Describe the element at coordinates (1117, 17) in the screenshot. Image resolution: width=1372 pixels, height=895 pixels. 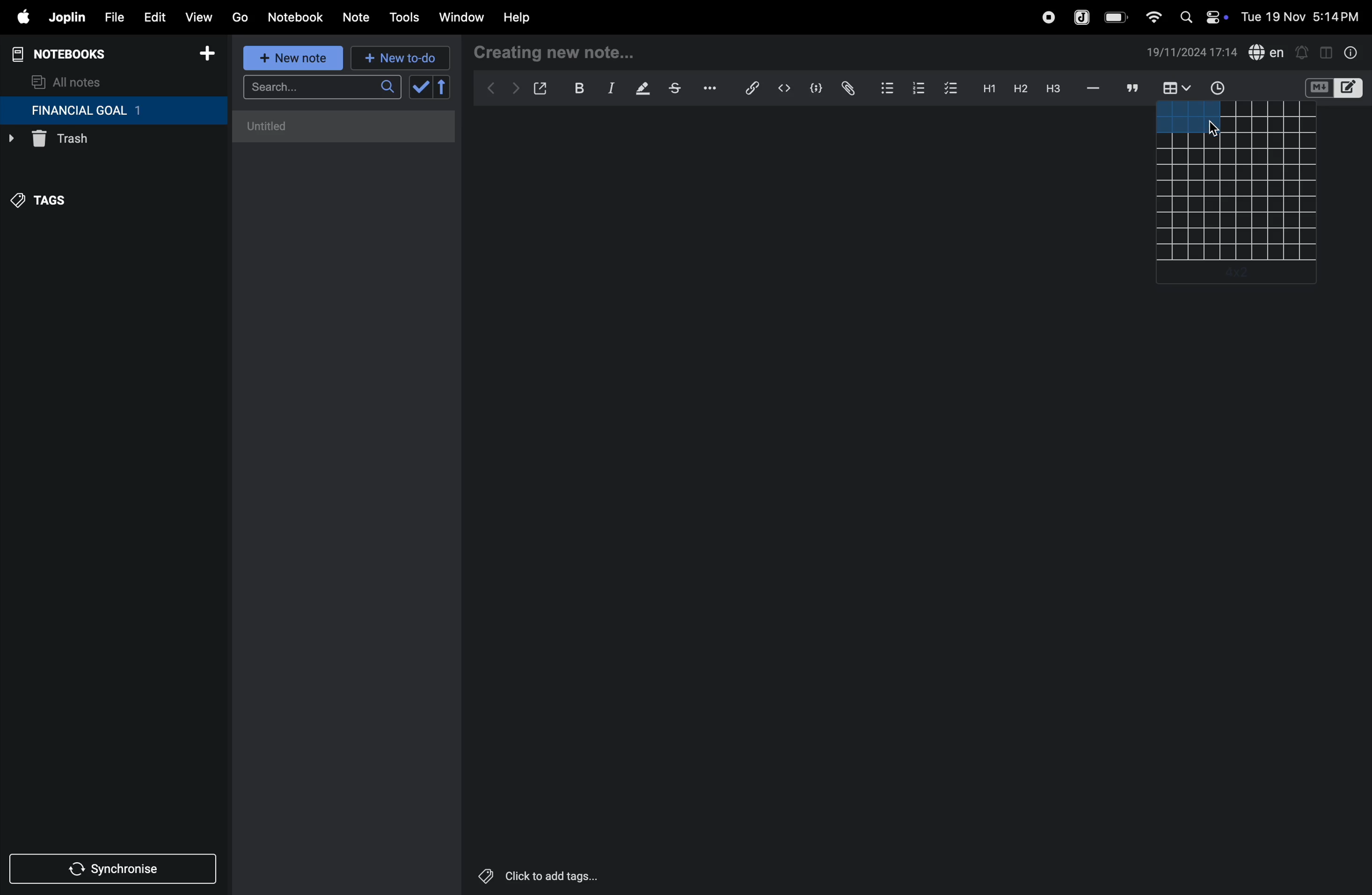
I see `battery` at that location.